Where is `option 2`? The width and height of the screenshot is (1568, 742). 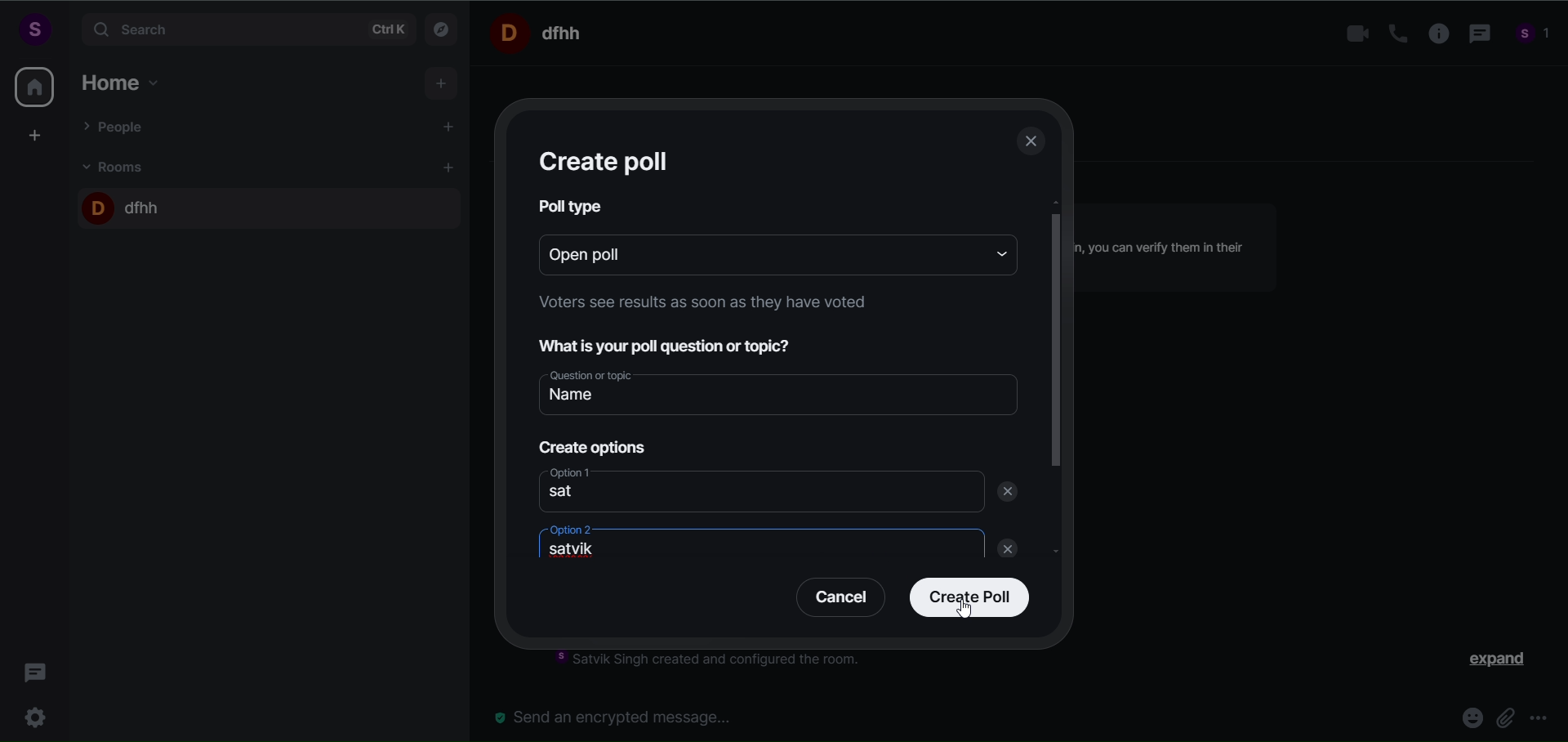
option 2 is located at coordinates (745, 542).